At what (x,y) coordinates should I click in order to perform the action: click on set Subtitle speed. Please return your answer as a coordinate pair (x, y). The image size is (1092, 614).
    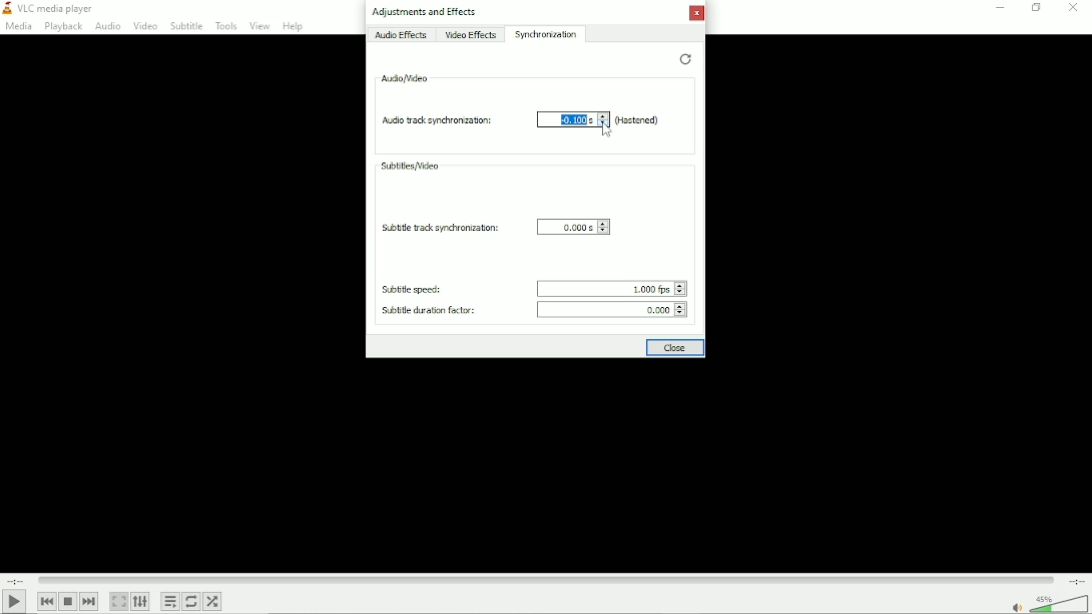
    Looking at the image, I should click on (605, 288).